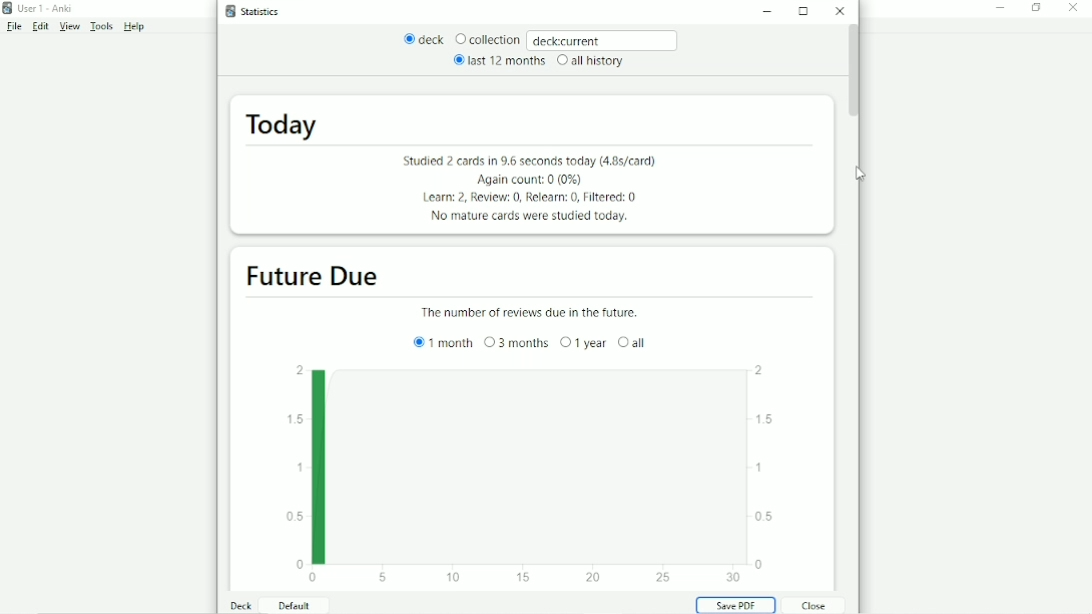 This screenshot has height=614, width=1092. What do you see at coordinates (292, 605) in the screenshot?
I see `Default` at bounding box center [292, 605].